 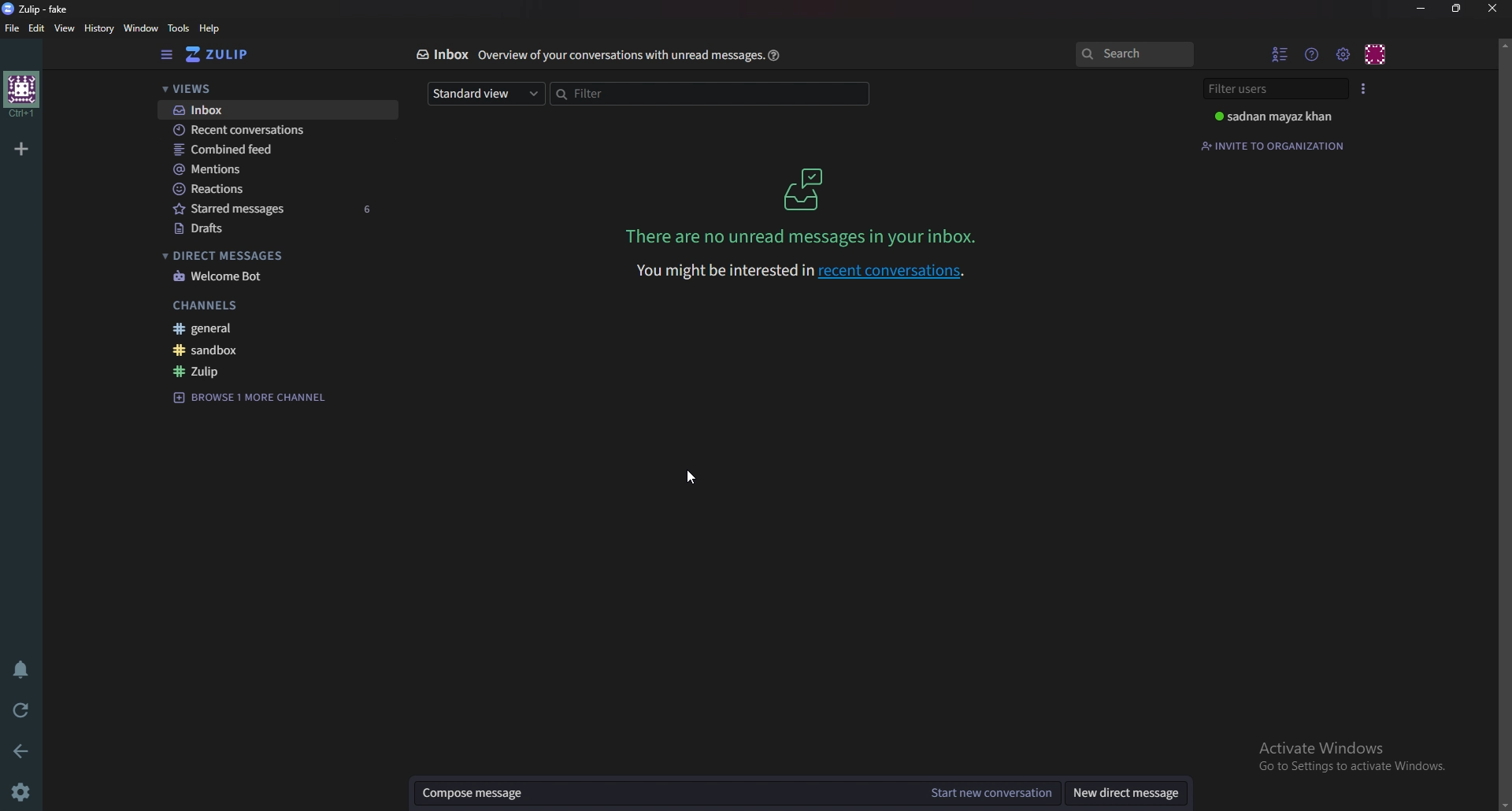 I want to click on There are no unread messages in your inbox., so click(x=805, y=236).